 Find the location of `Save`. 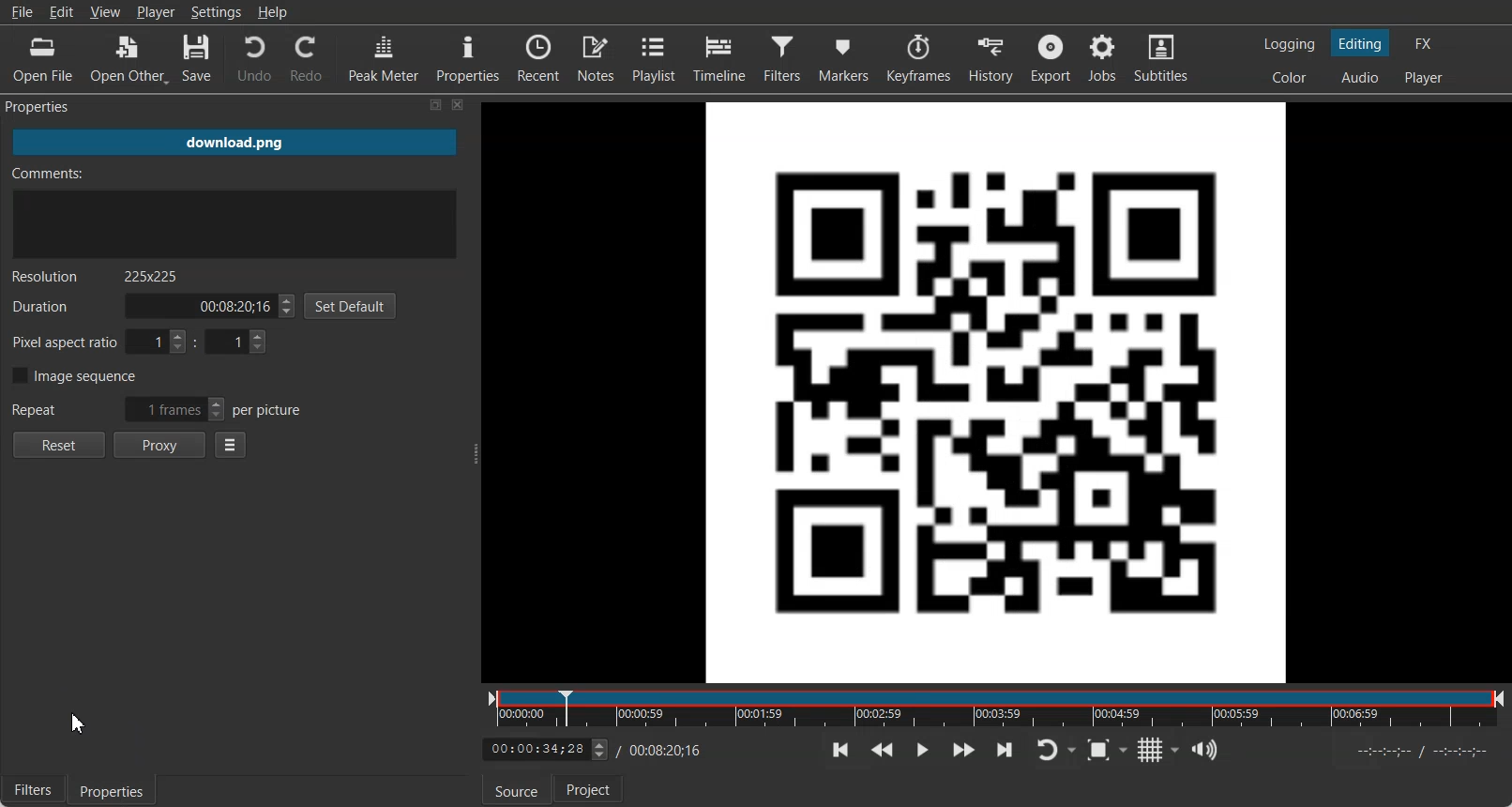

Save is located at coordinates (200, 58).